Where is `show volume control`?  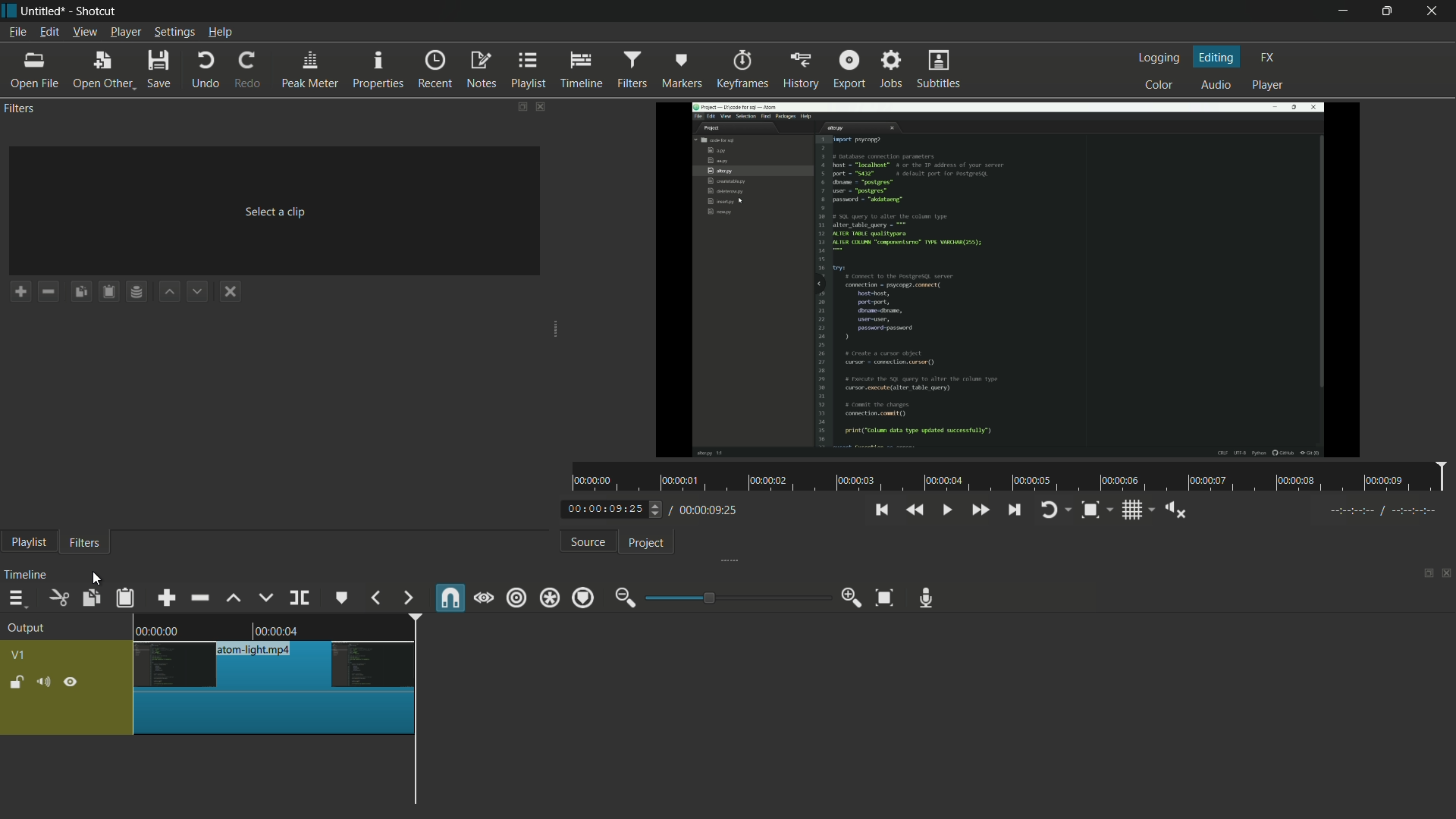 show volume control is located at coordinates (1175, 509).